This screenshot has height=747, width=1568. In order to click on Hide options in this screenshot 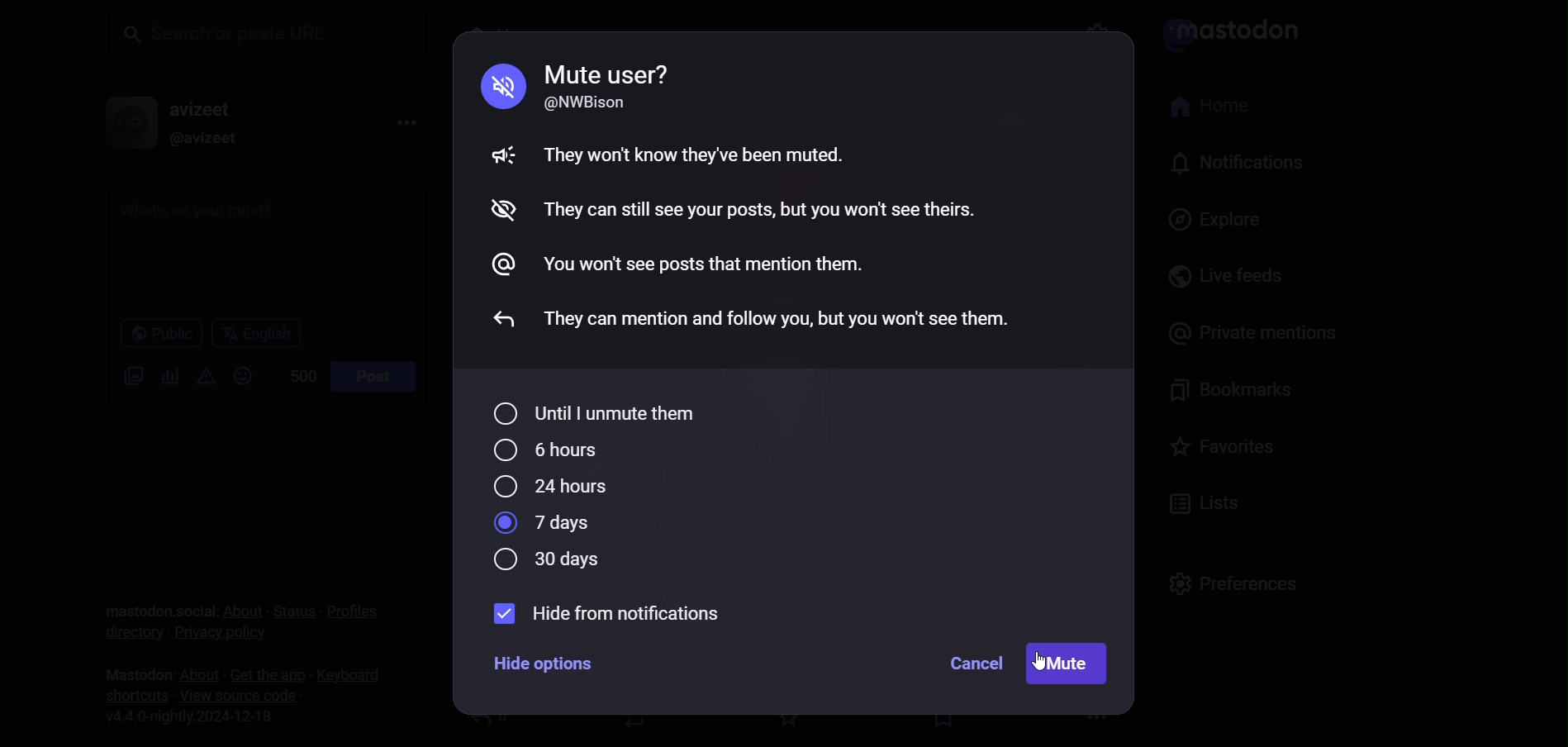, I will do `click(549, 664)`.